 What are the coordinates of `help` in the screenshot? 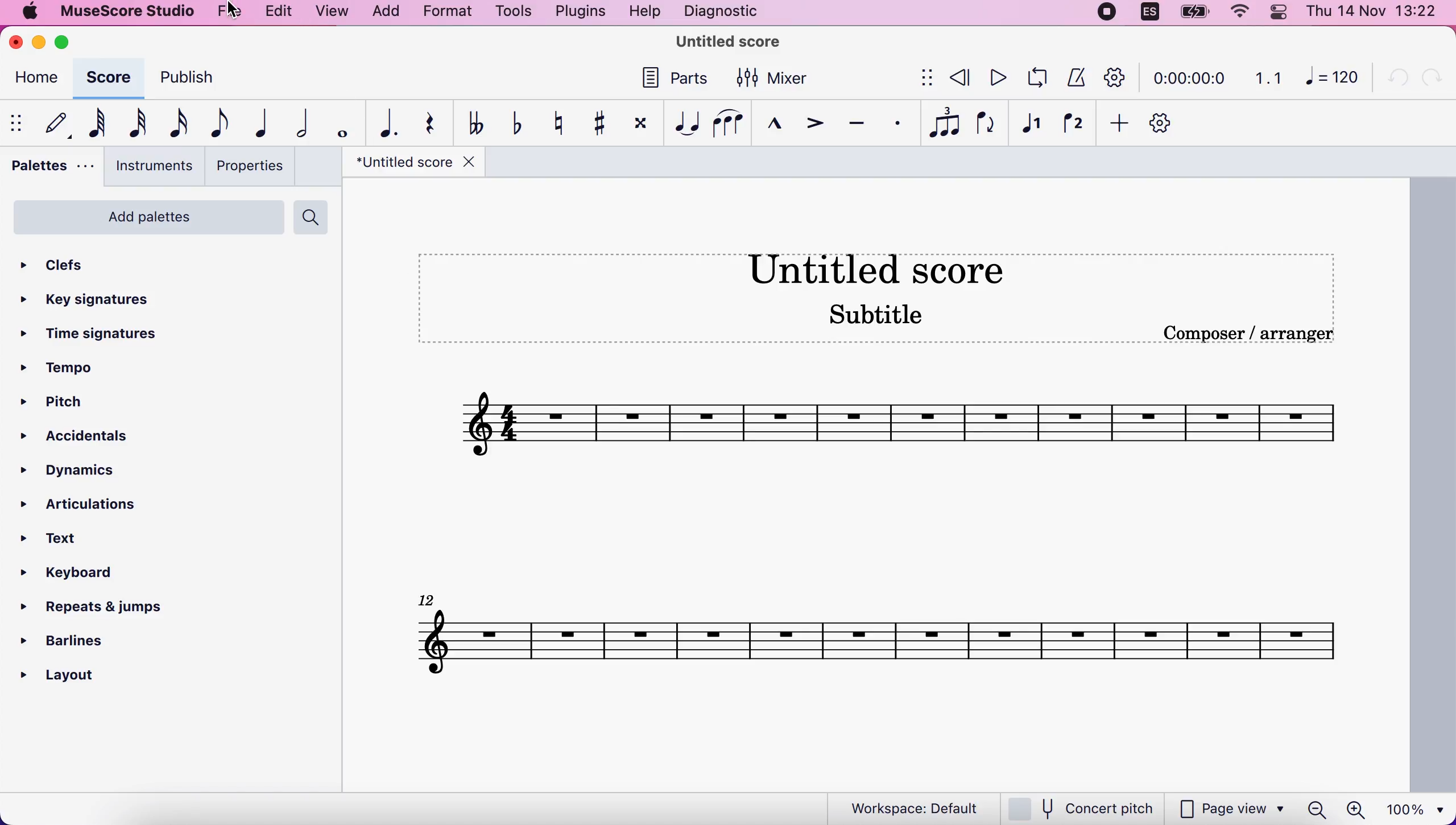 It's located at (642, 13).